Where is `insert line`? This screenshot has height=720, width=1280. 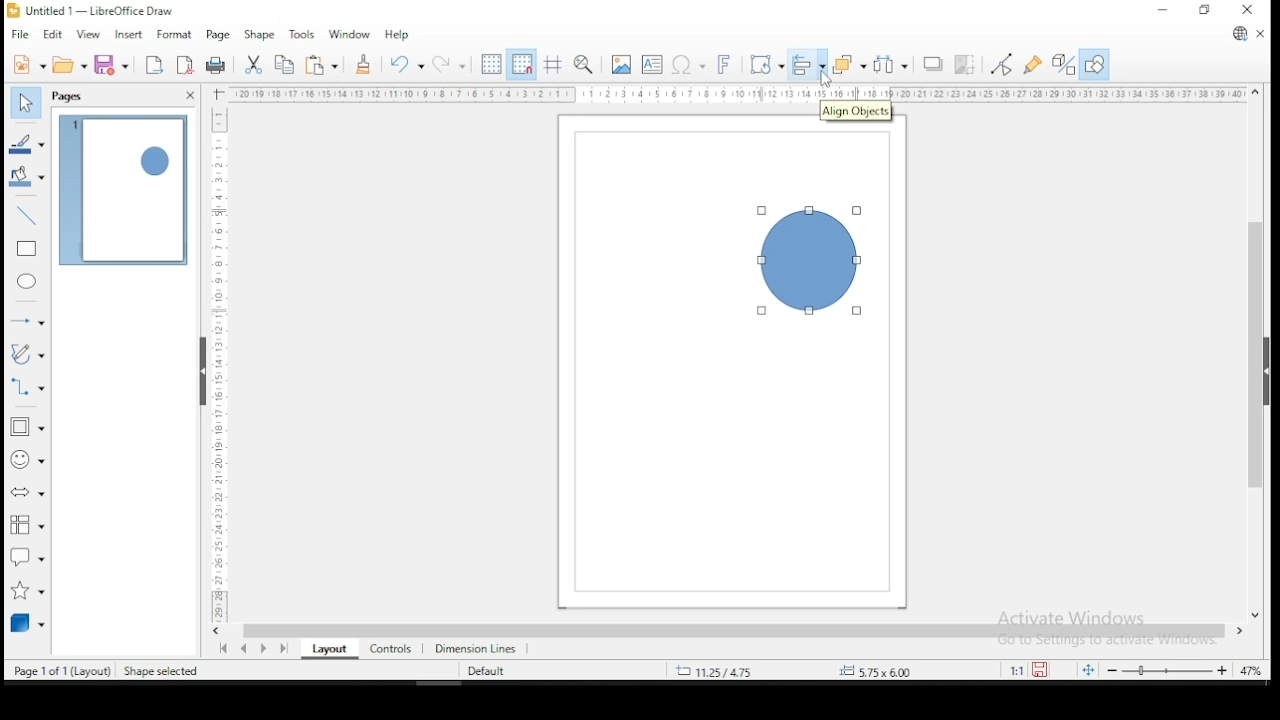 insert line is located at coordinates (27, 213).